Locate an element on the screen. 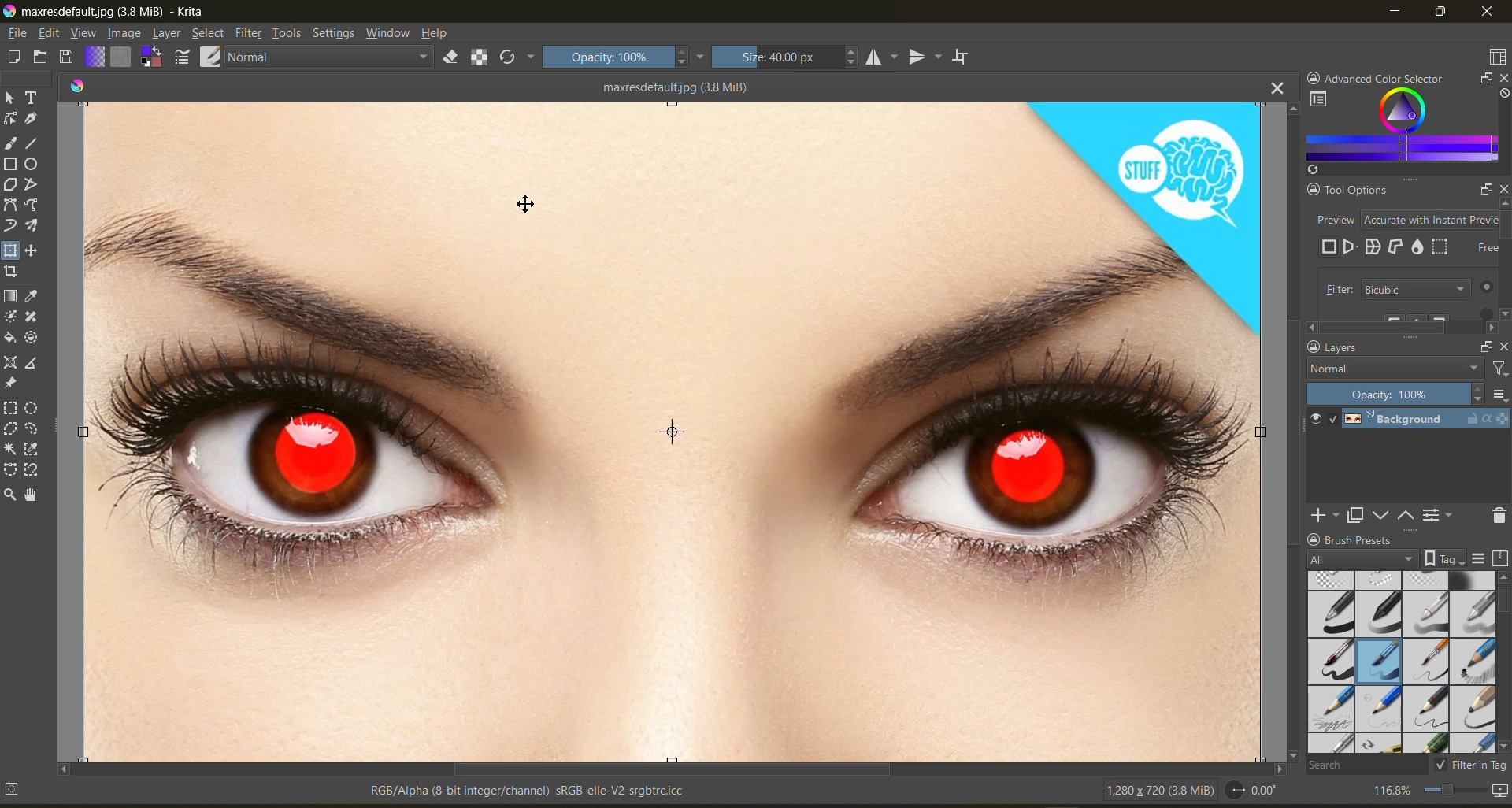 This screenshot has width=1512, height=808. normal is located at coordinates (1395, 369).